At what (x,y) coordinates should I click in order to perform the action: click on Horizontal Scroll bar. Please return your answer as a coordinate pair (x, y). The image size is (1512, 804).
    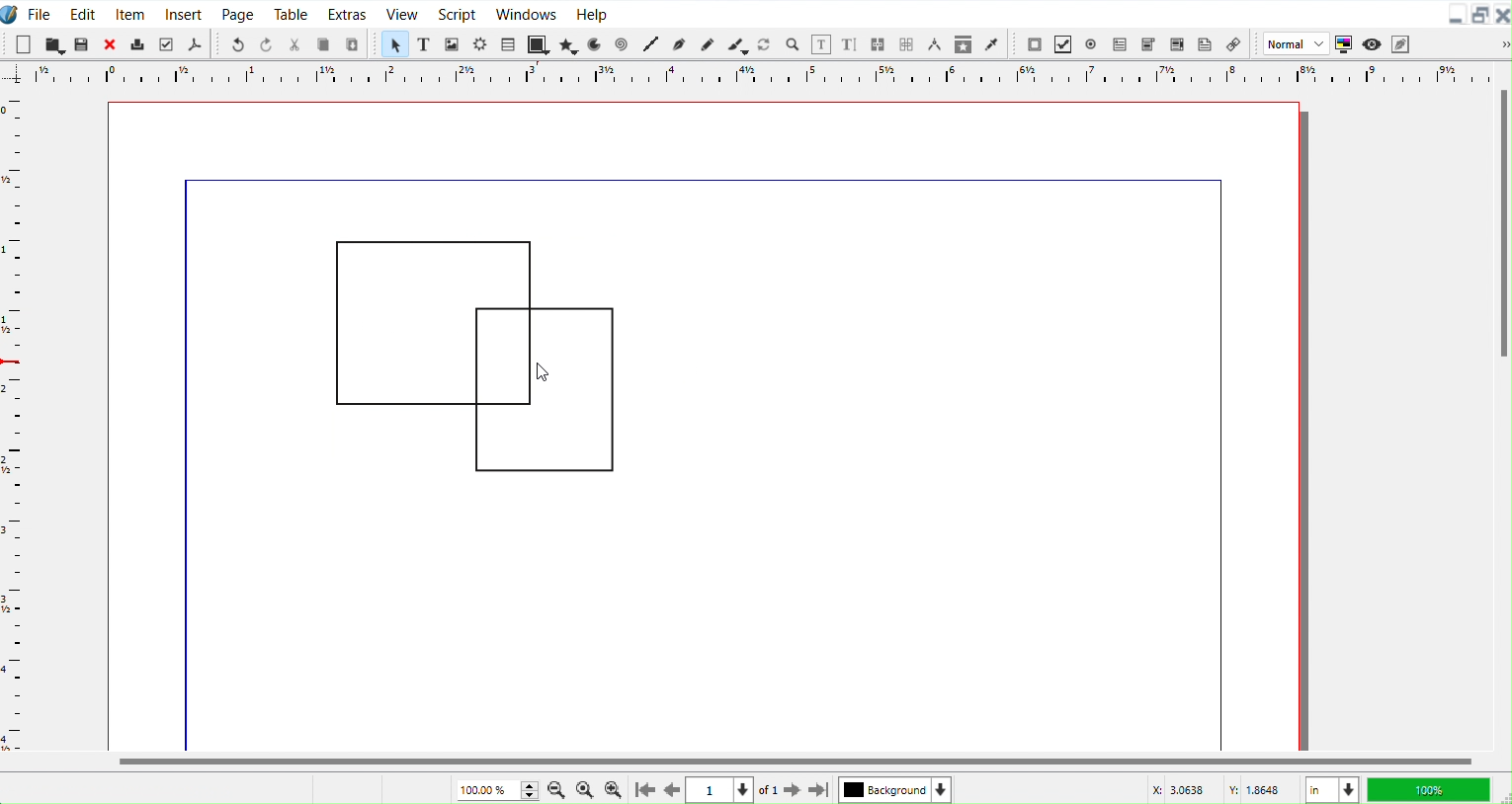
    Looking at the image, I should click on (755, 762).